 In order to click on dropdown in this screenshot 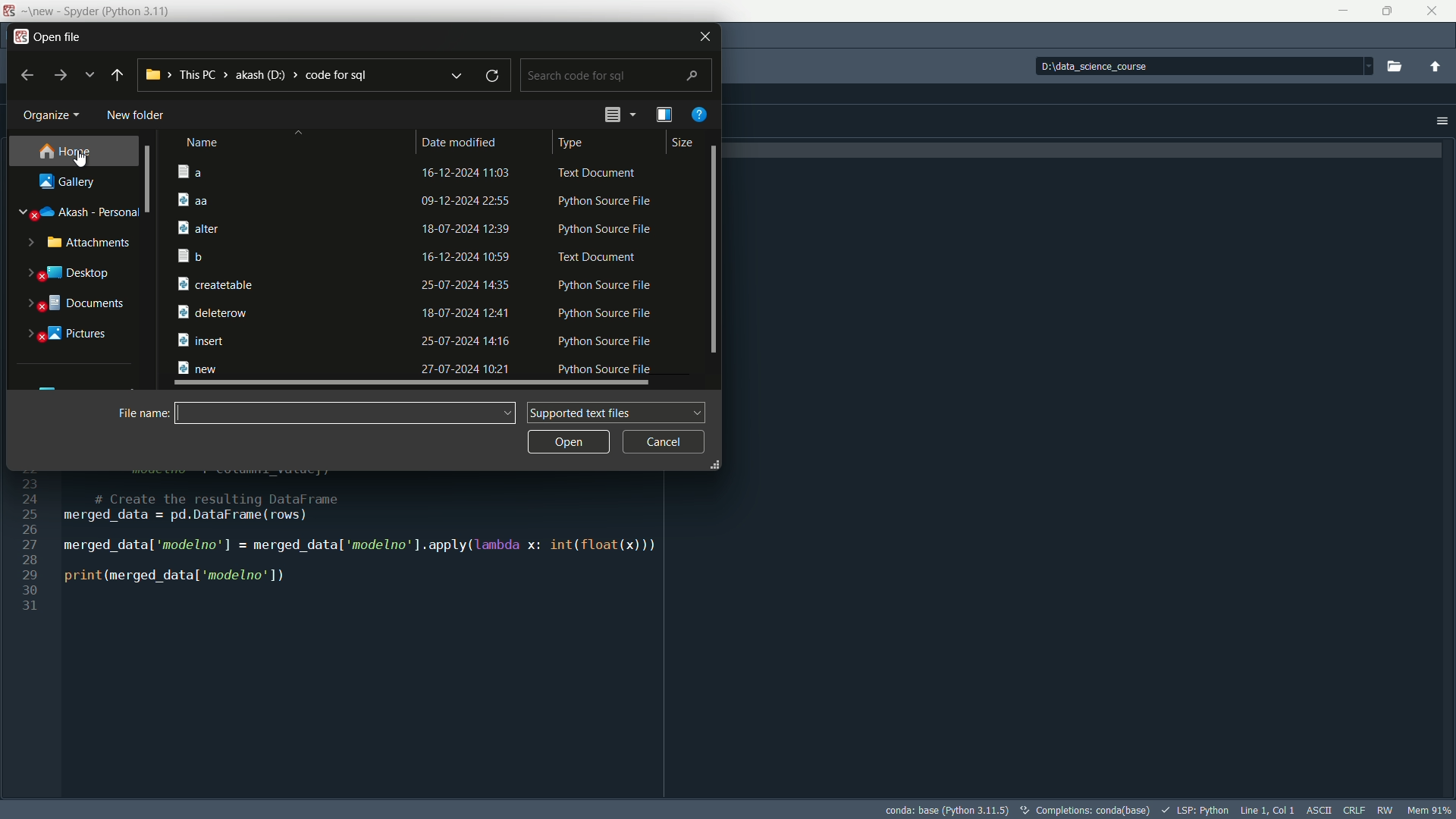, I will do `click(632, 115)`.